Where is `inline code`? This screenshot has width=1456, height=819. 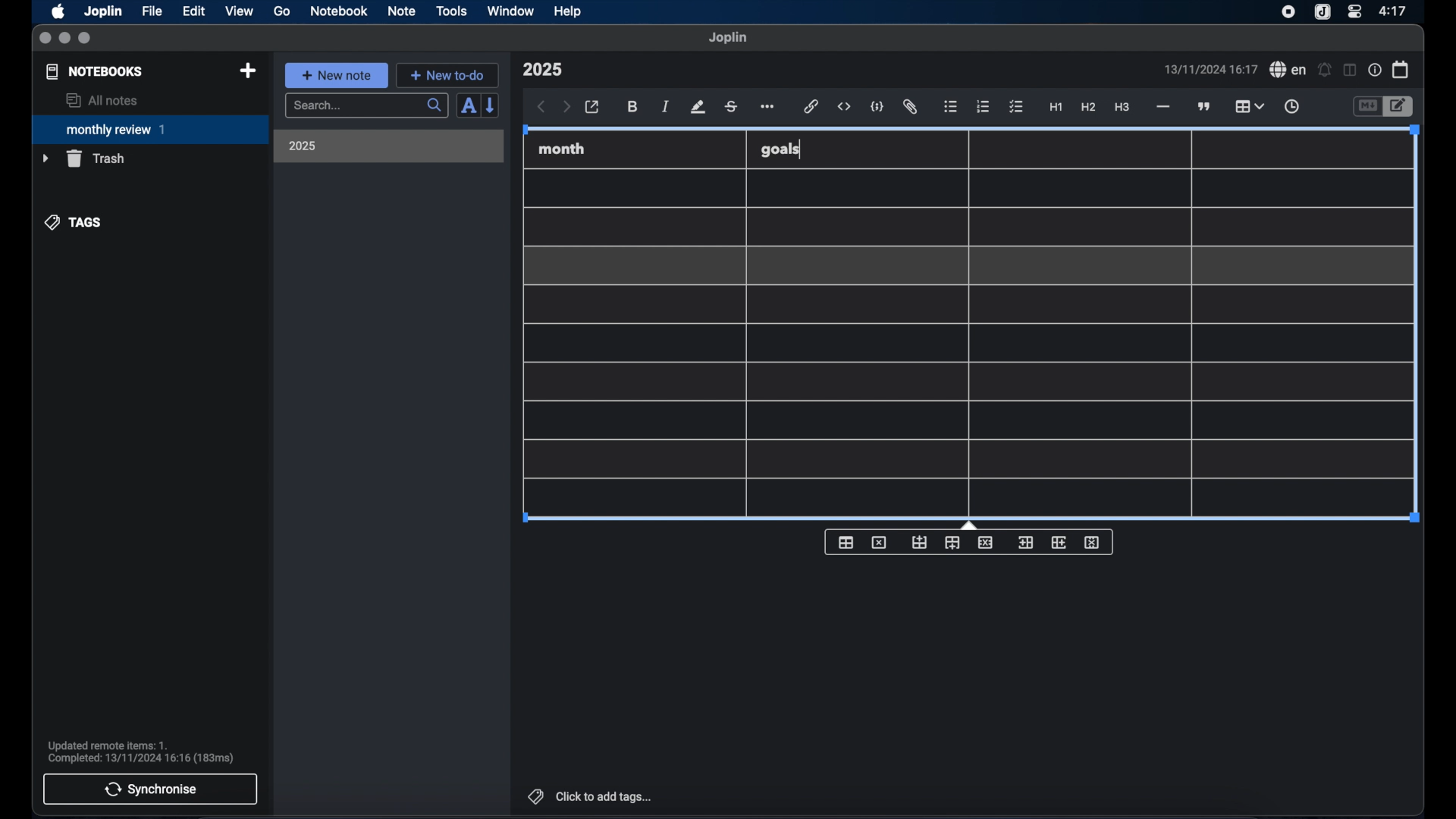 inline code is located at coordinates (844, 107).